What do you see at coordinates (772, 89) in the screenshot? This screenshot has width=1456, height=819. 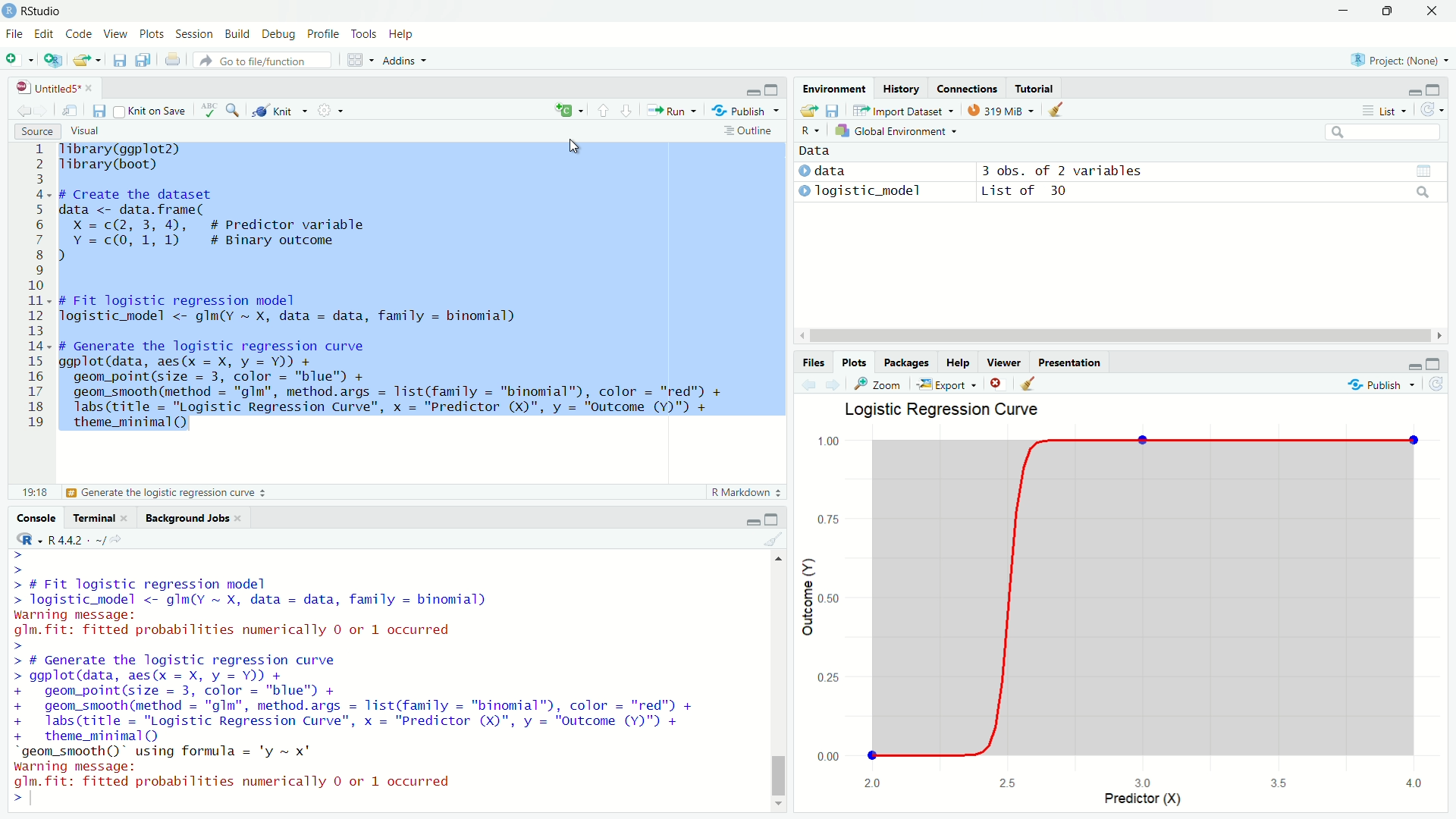 I see `maximize` at bounding box center [772, 89].